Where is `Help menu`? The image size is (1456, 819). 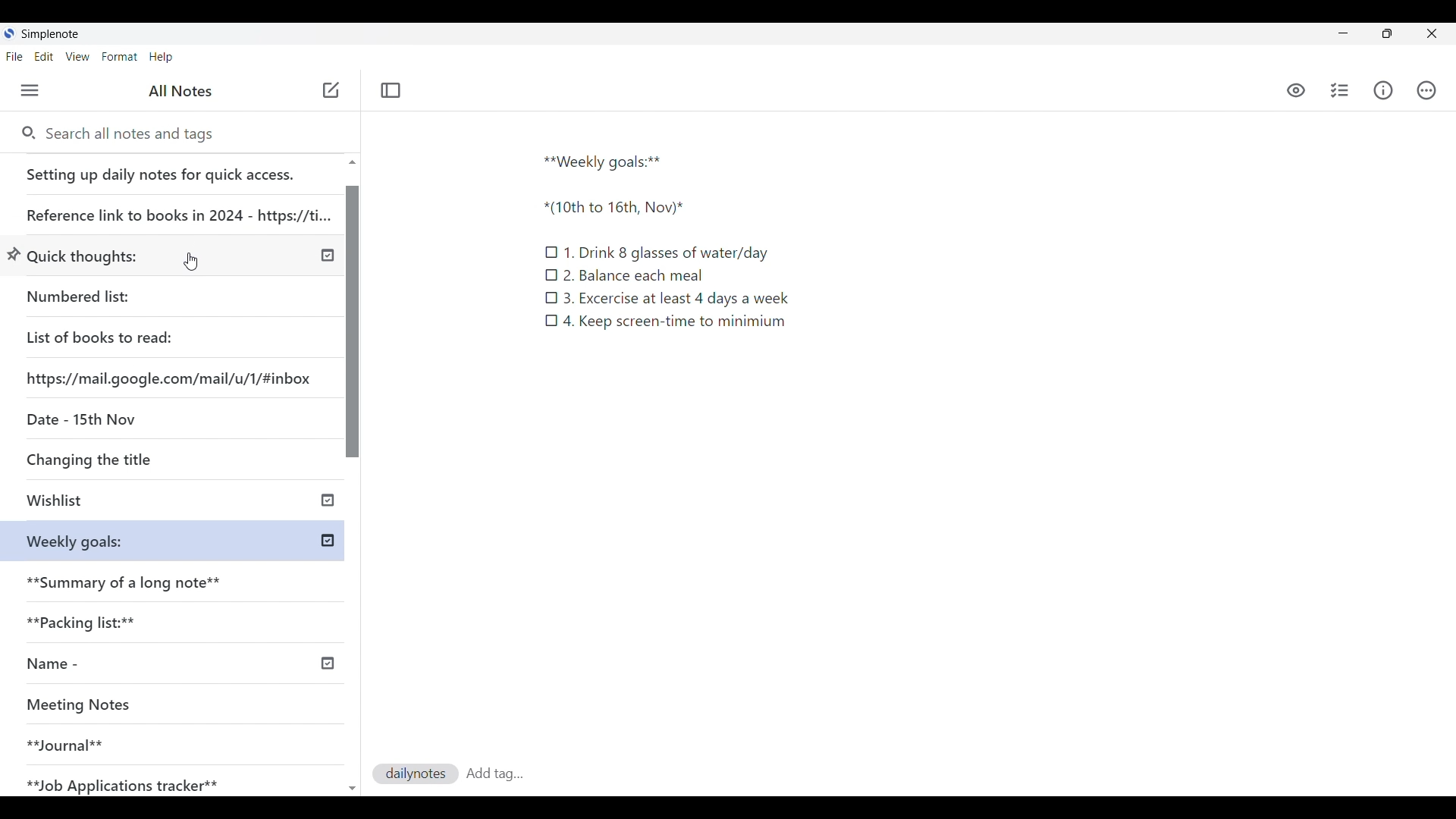 Help menu is located at coordinates (161, 57).